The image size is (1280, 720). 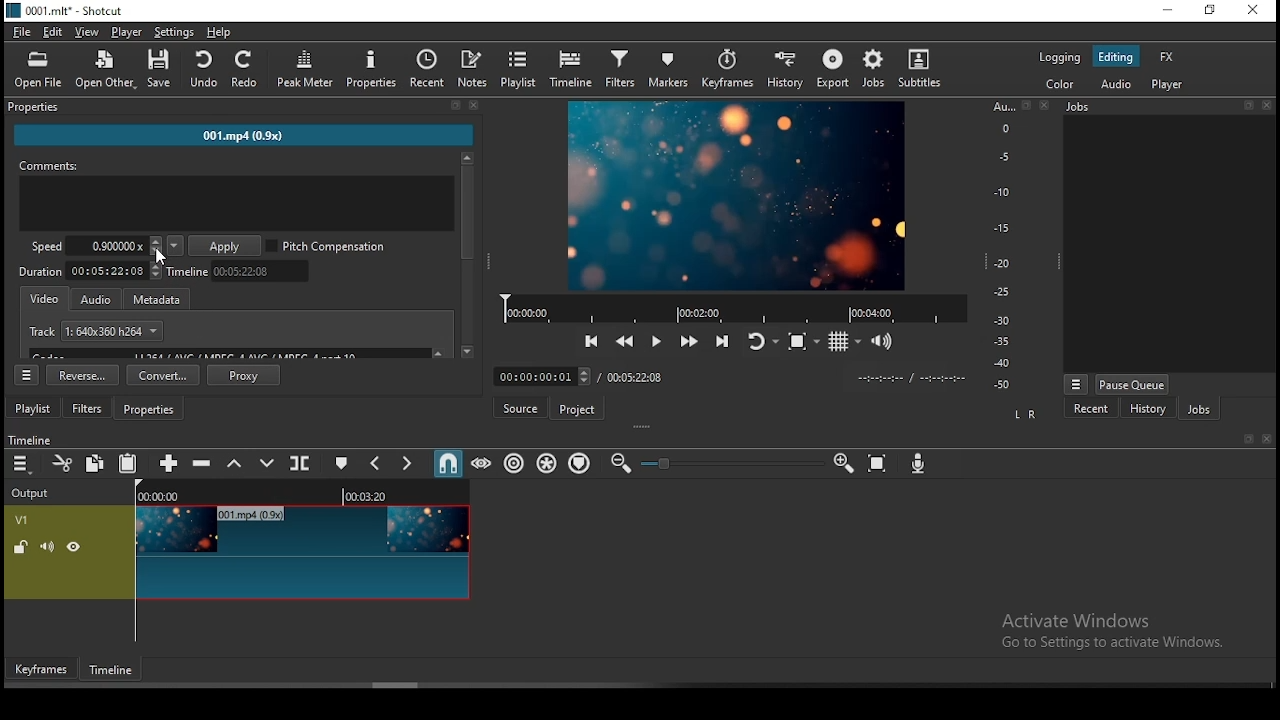 What do you see at coordinates (580, 462) in the screenshot?
I see `ripple markers` at bounding box center [580, 462].